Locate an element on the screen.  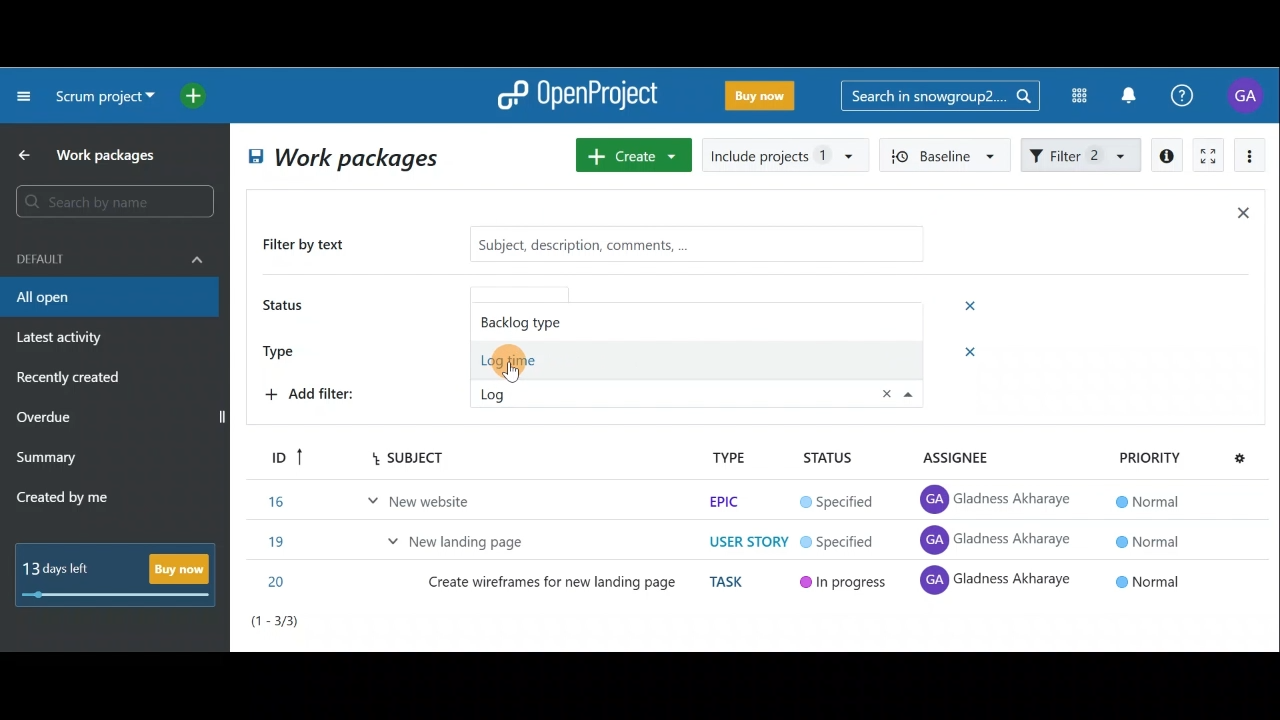
Item 15 is located at coordinates (465, 536).